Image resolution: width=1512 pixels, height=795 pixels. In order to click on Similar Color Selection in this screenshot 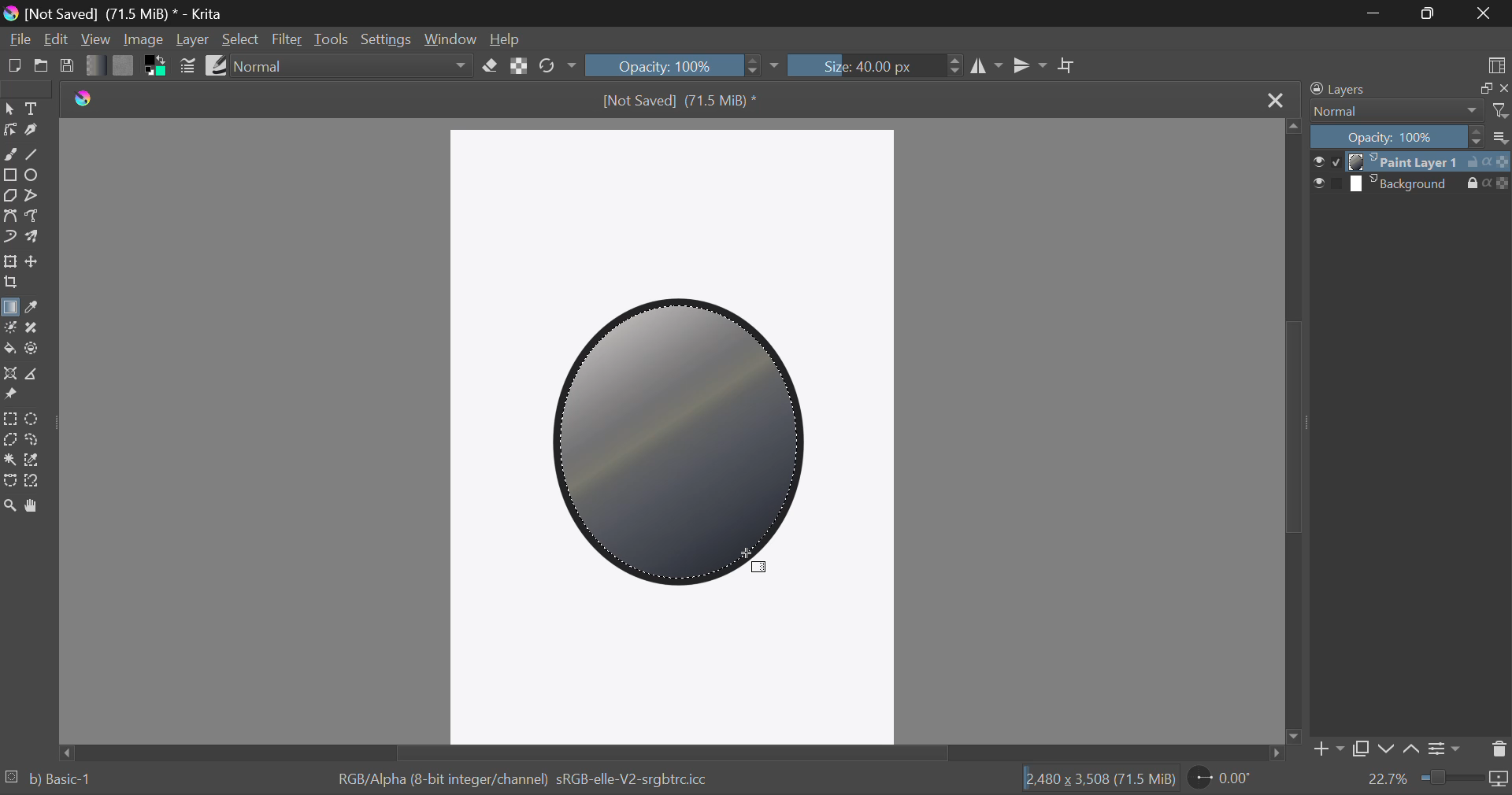, I will do `click(39, 459)`.